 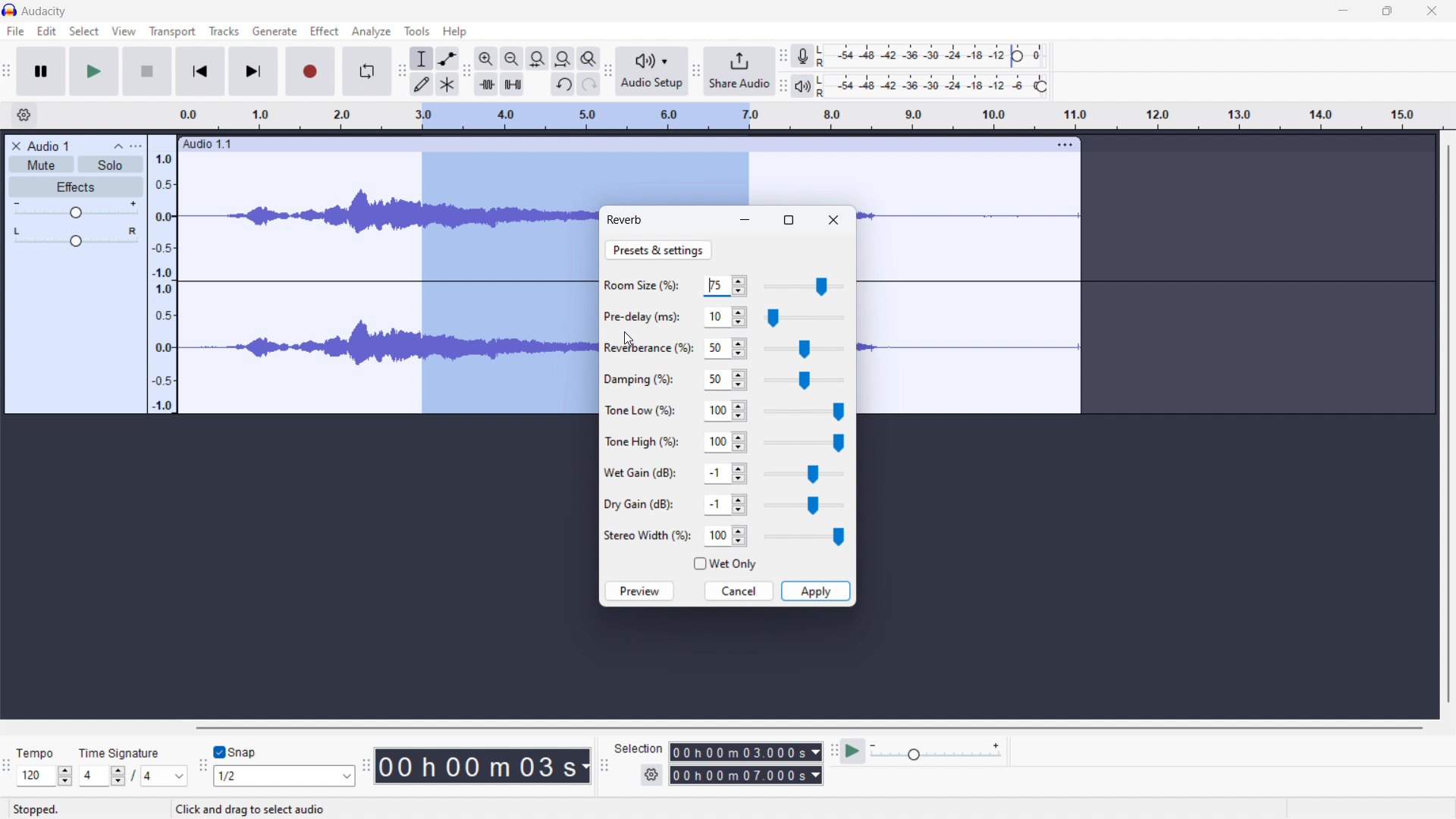 What do you see at coordinates (970, 282) in the screenshot?
I see `track selected` at bounding box center [970, 282].